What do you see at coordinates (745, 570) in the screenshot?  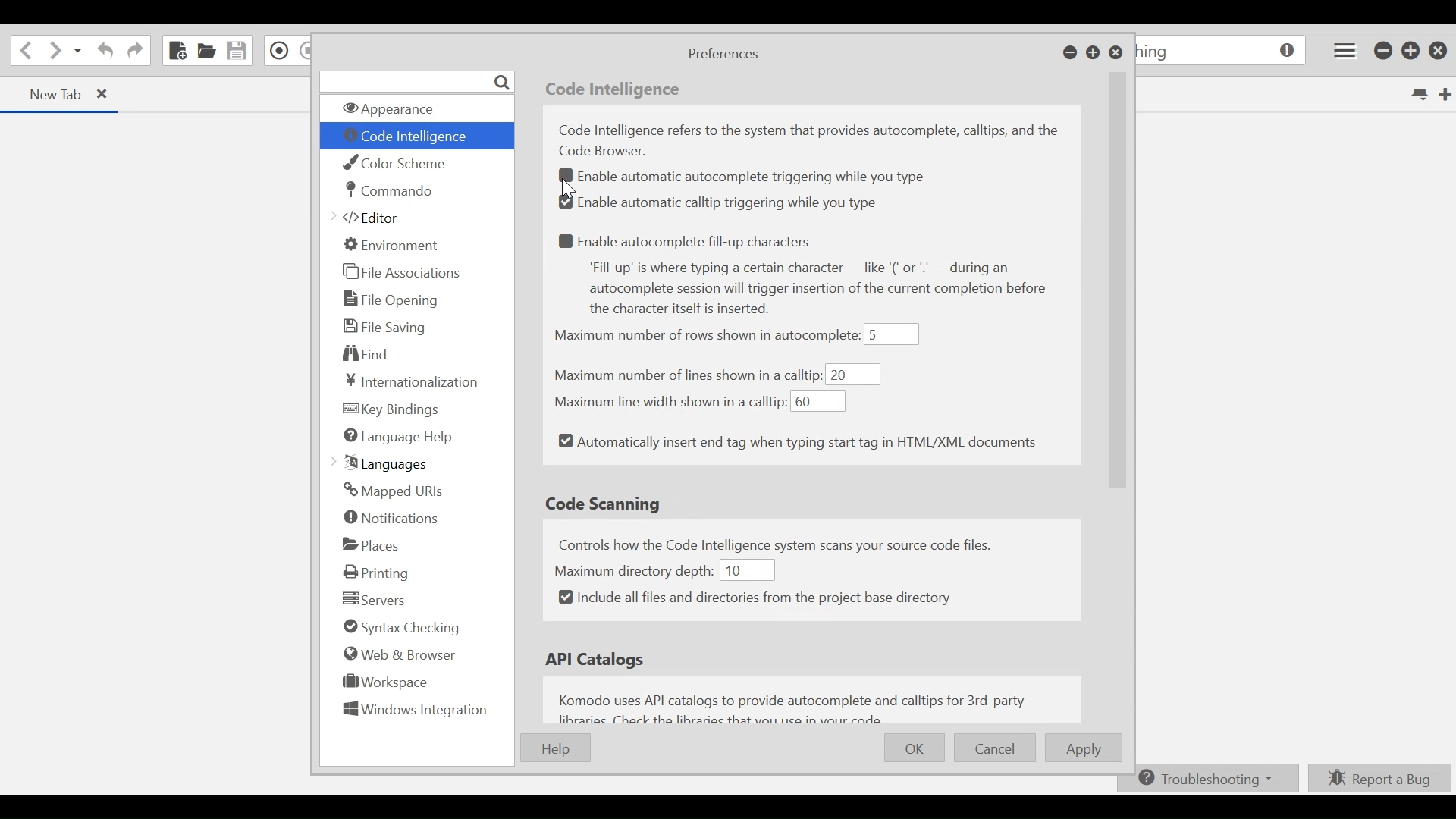 I see `10` at bounding box center [745, 570].